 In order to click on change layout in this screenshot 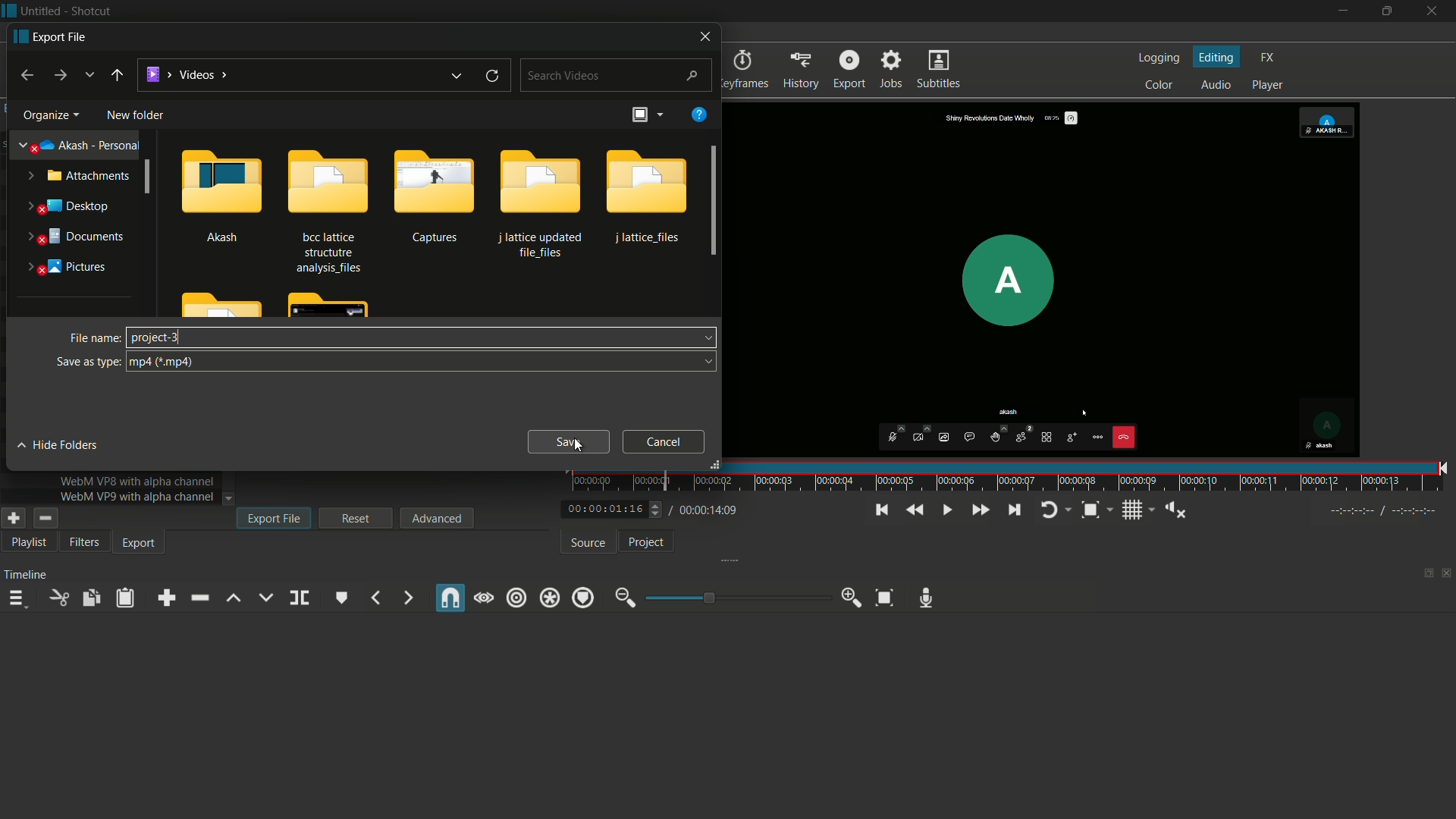, I will do `click(1423, 577)`.